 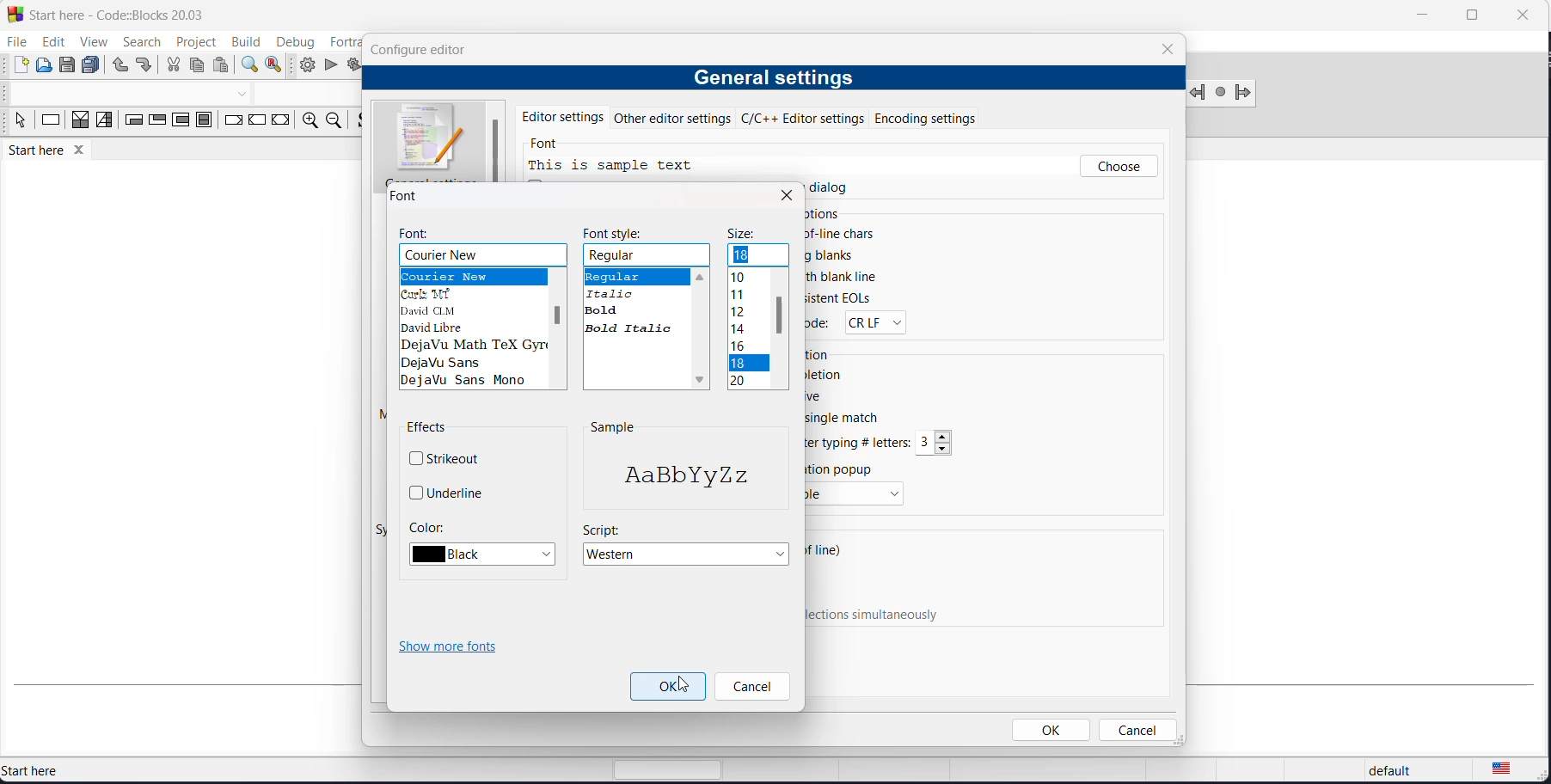 I want to click on configure editor dialog box, so click(x=422, y=49).